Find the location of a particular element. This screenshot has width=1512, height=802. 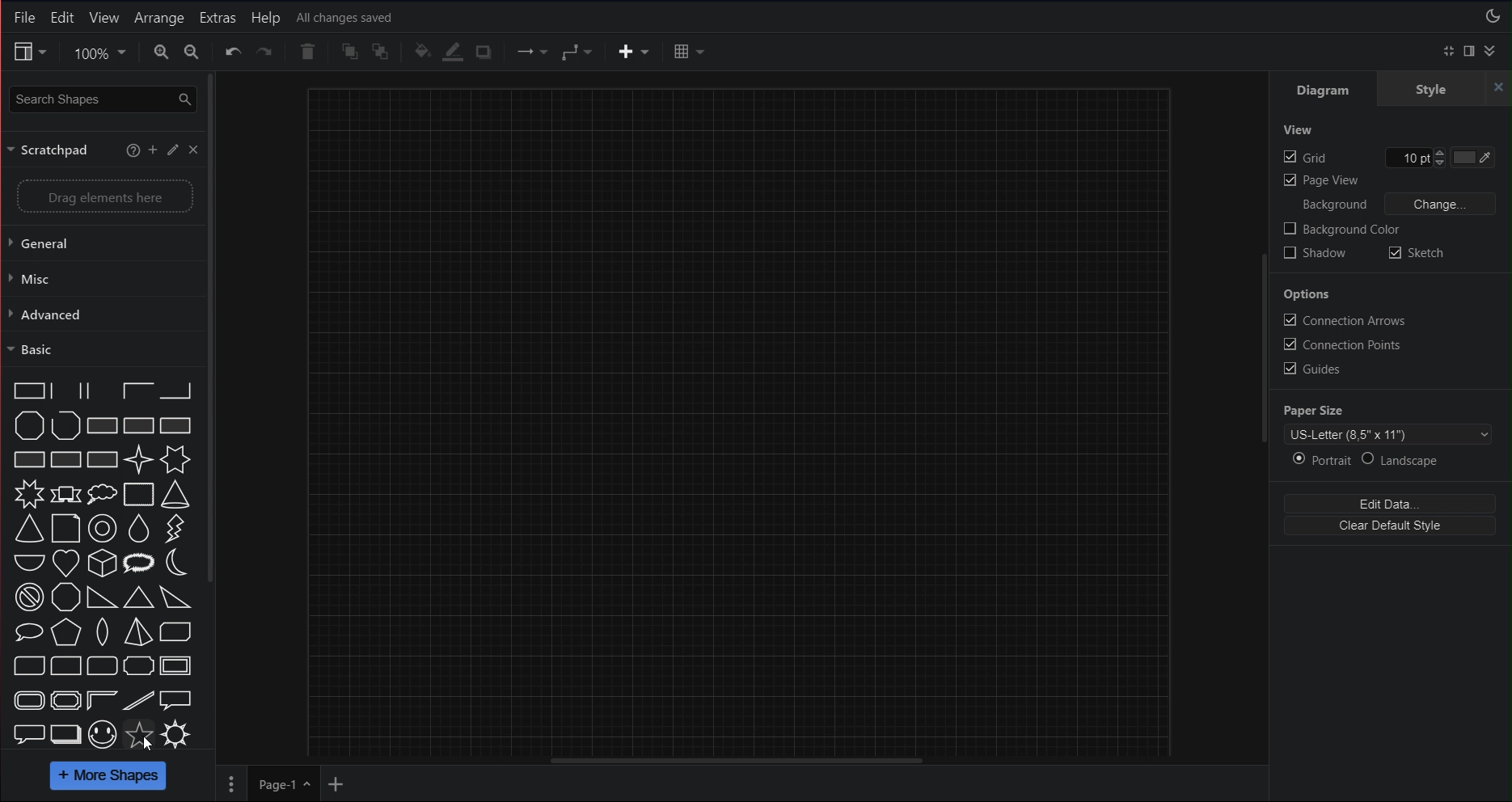

diagonal rounded rectangle is located at coordinates (30, 665).